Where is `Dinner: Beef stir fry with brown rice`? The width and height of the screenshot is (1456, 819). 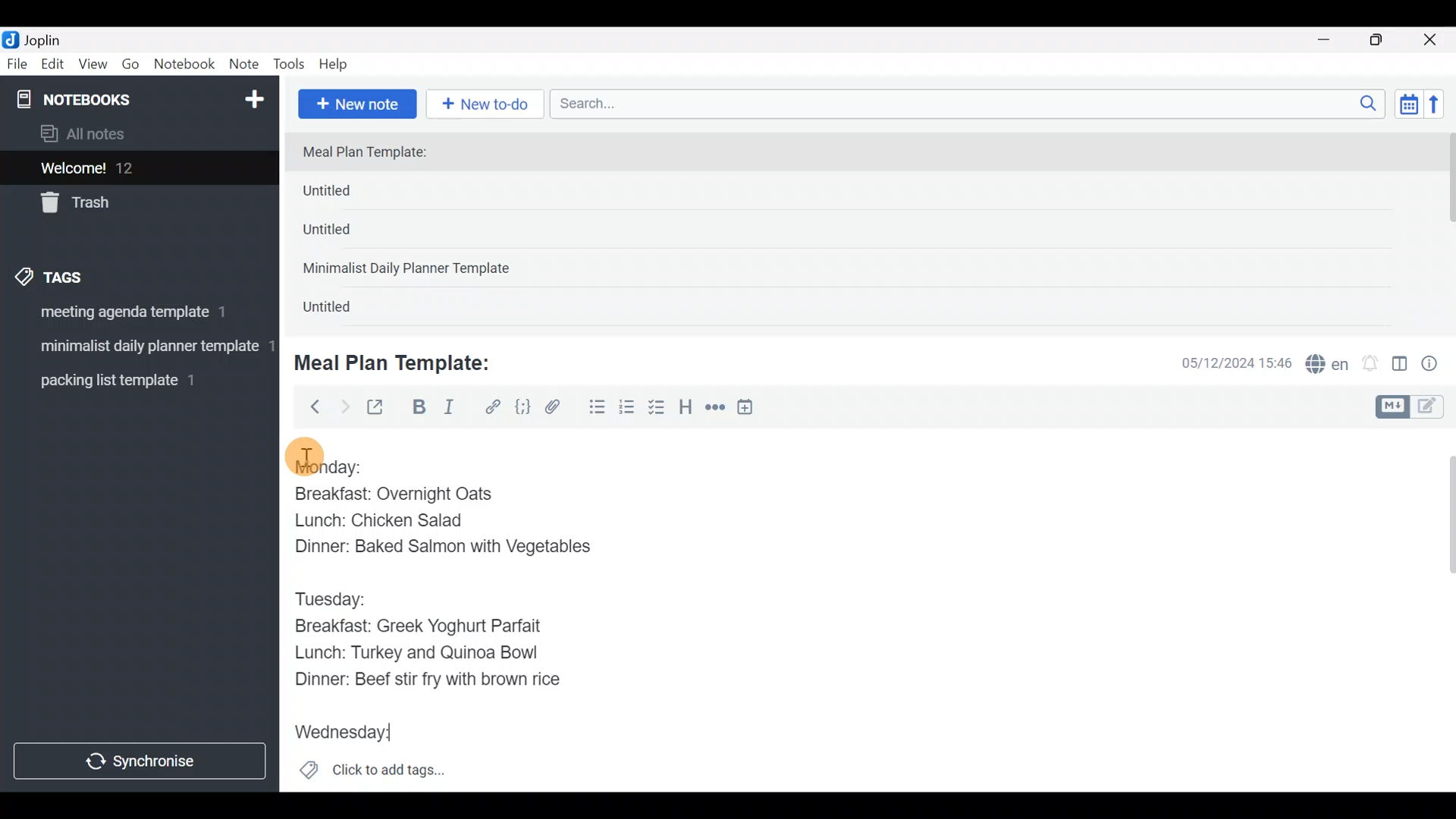 Dinner: Beef stir fry with brown rice is located at coordinates (425, 682).